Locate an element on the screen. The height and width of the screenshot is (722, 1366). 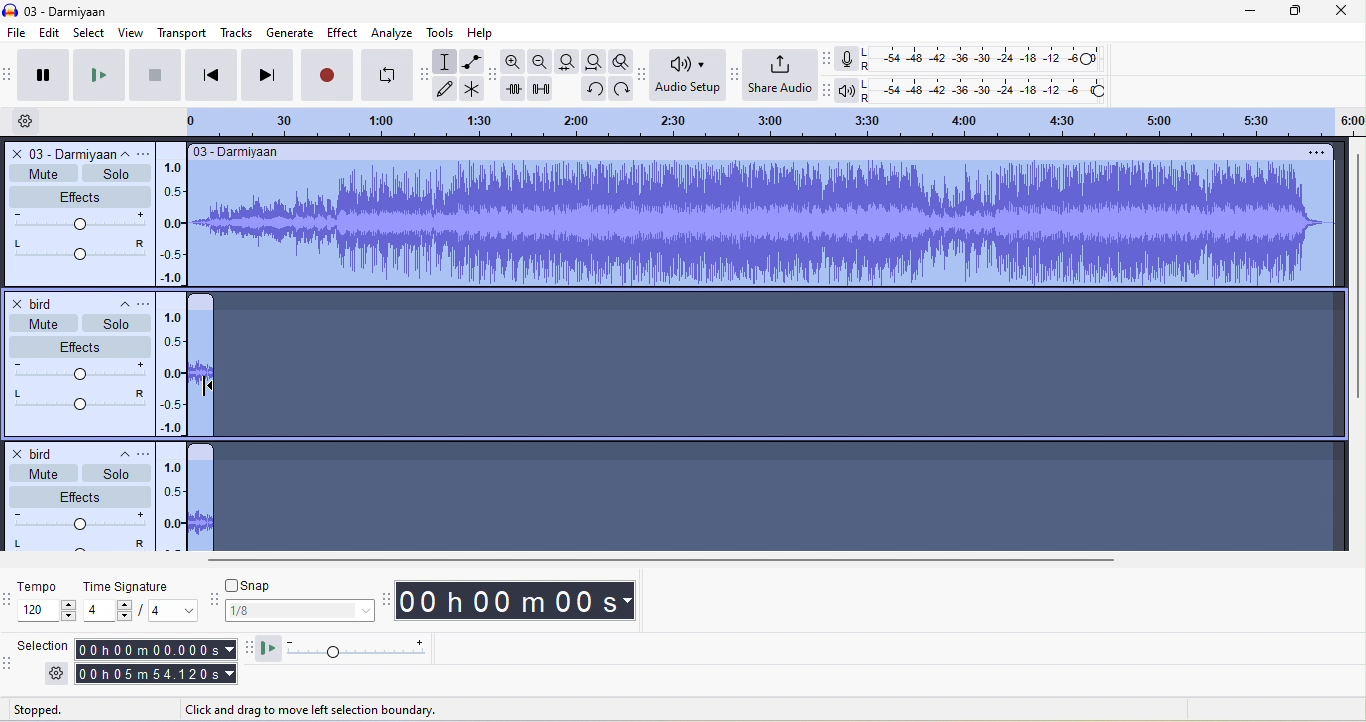
skip to start is located at coordinates (210, 74).